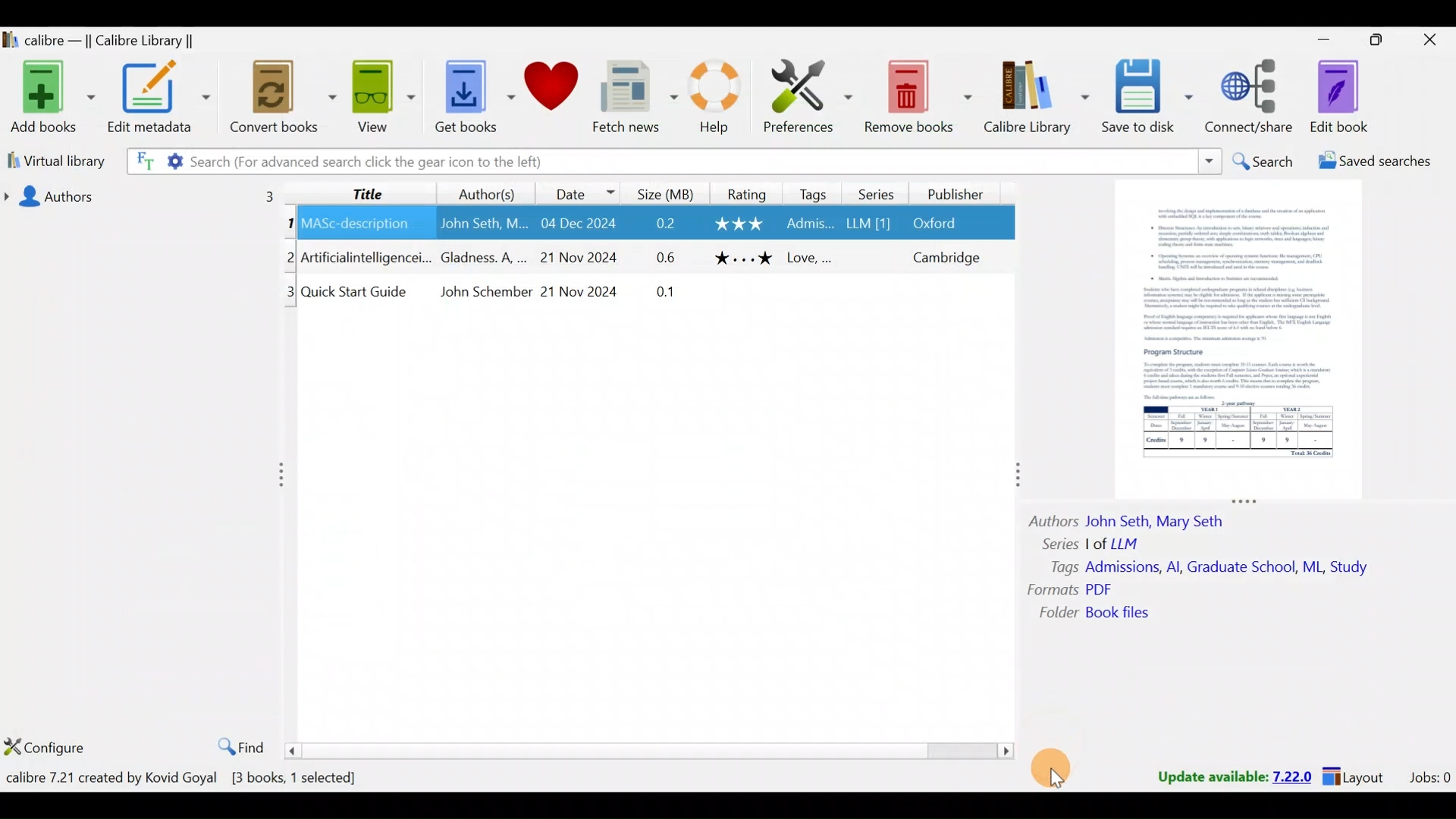  Describe the element at coordinates (482, 224) in the screenshot. I see `` at that location.